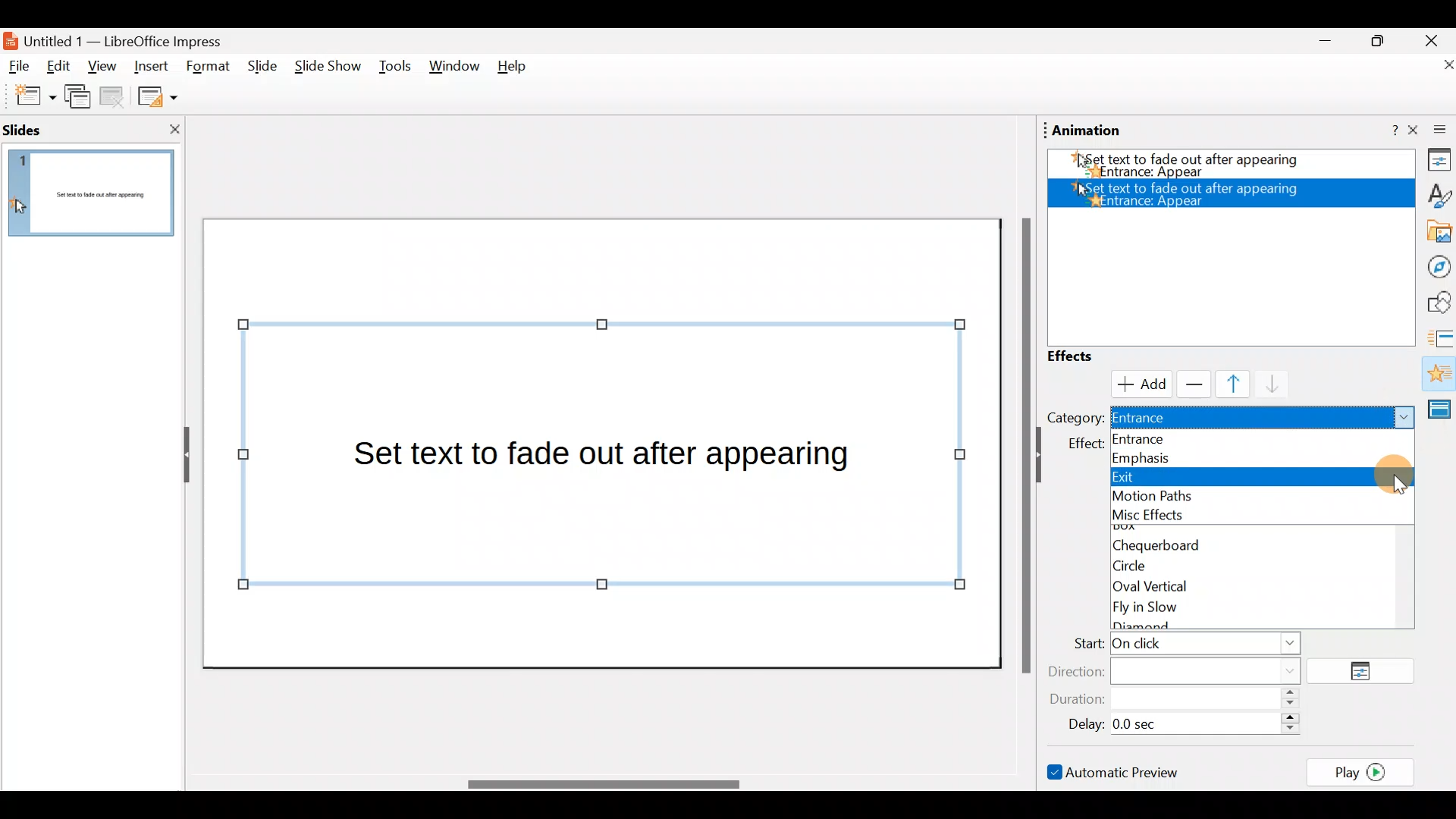 The image size is (1456, 819). Describe the element at coordinates (1367, 672) in the screenshot. I see `Options` at that location.